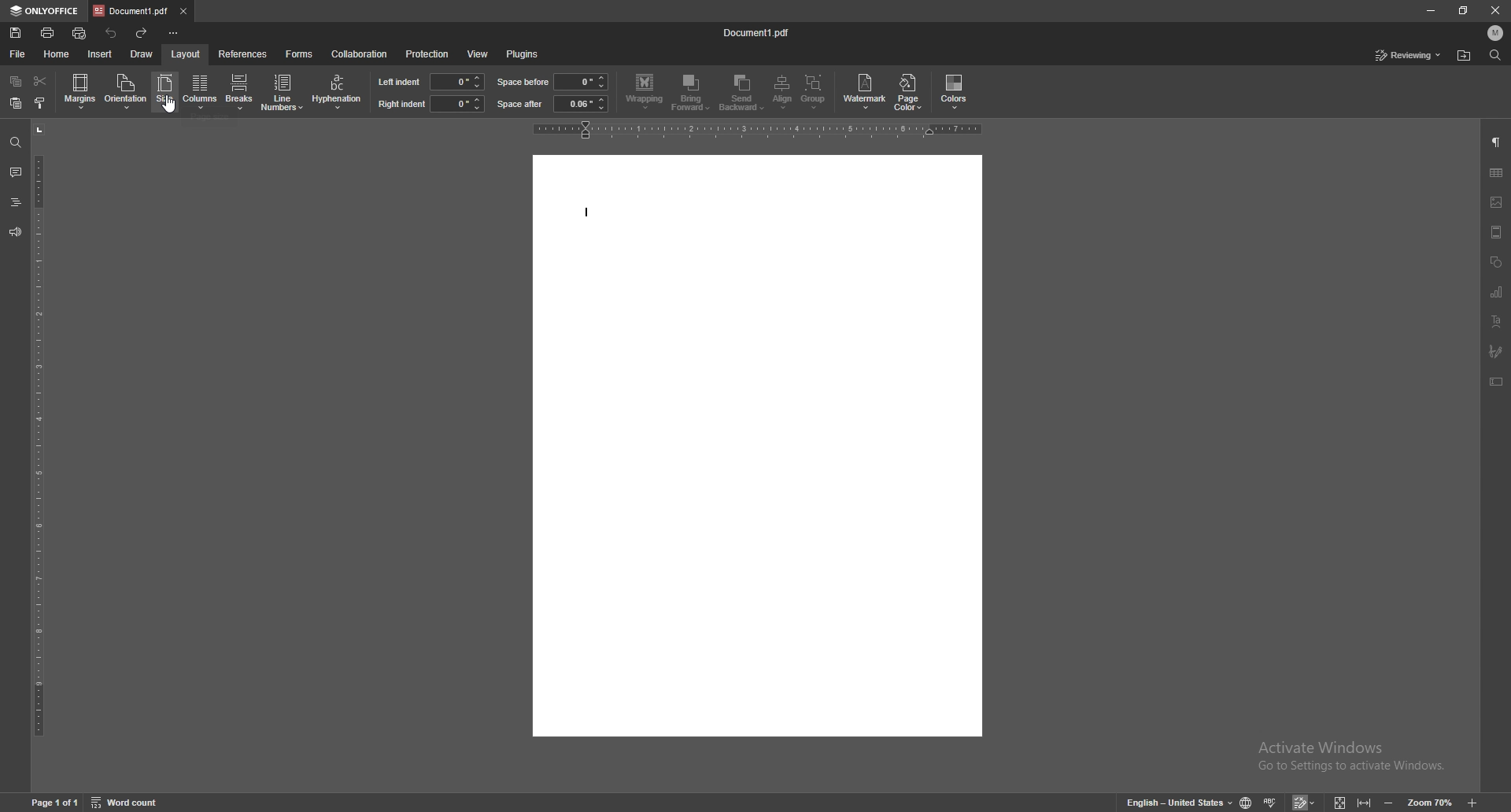 The width and height of the screenshot is (1511, 812). Describe the element at coordinates (759, 31) in the screenshot. I see `file name` at that location.